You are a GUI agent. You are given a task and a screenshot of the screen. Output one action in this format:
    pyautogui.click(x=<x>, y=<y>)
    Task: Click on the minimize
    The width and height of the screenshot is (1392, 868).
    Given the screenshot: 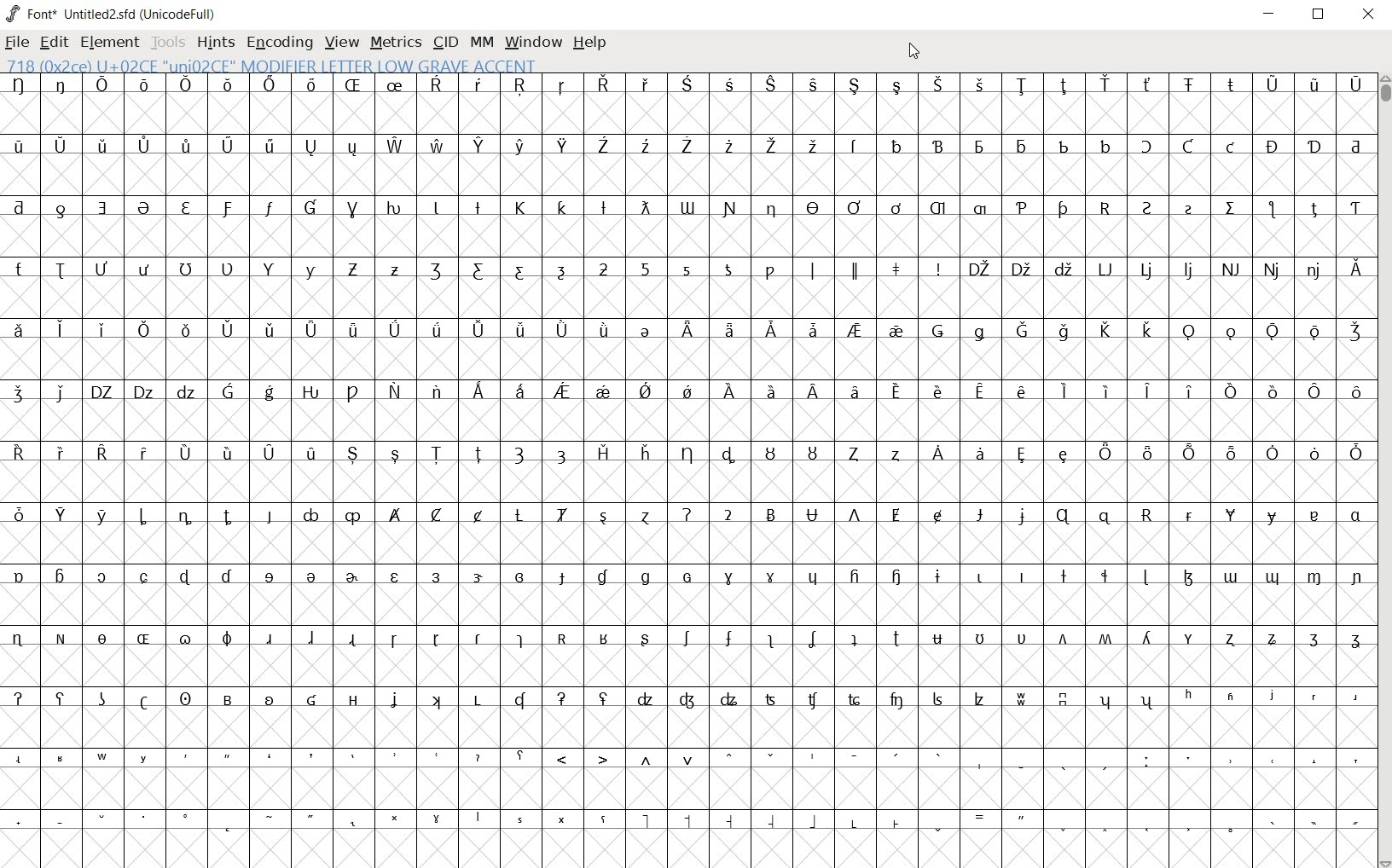 What is the action you would take?
    pyautogui.click(x=1269, y=14)
    